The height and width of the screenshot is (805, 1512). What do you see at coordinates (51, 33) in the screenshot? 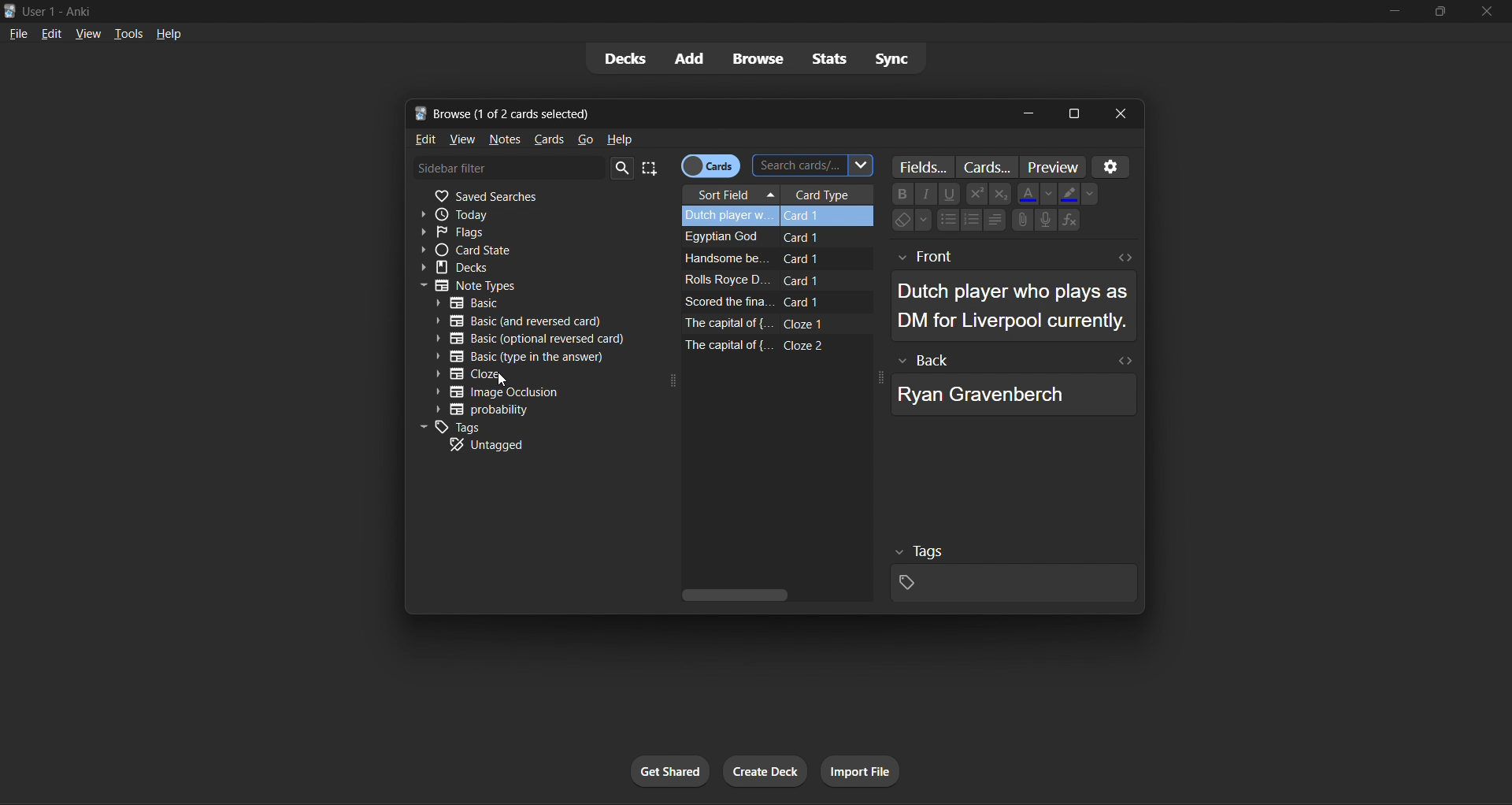
I see `edit` at bounding box center [51, 33].